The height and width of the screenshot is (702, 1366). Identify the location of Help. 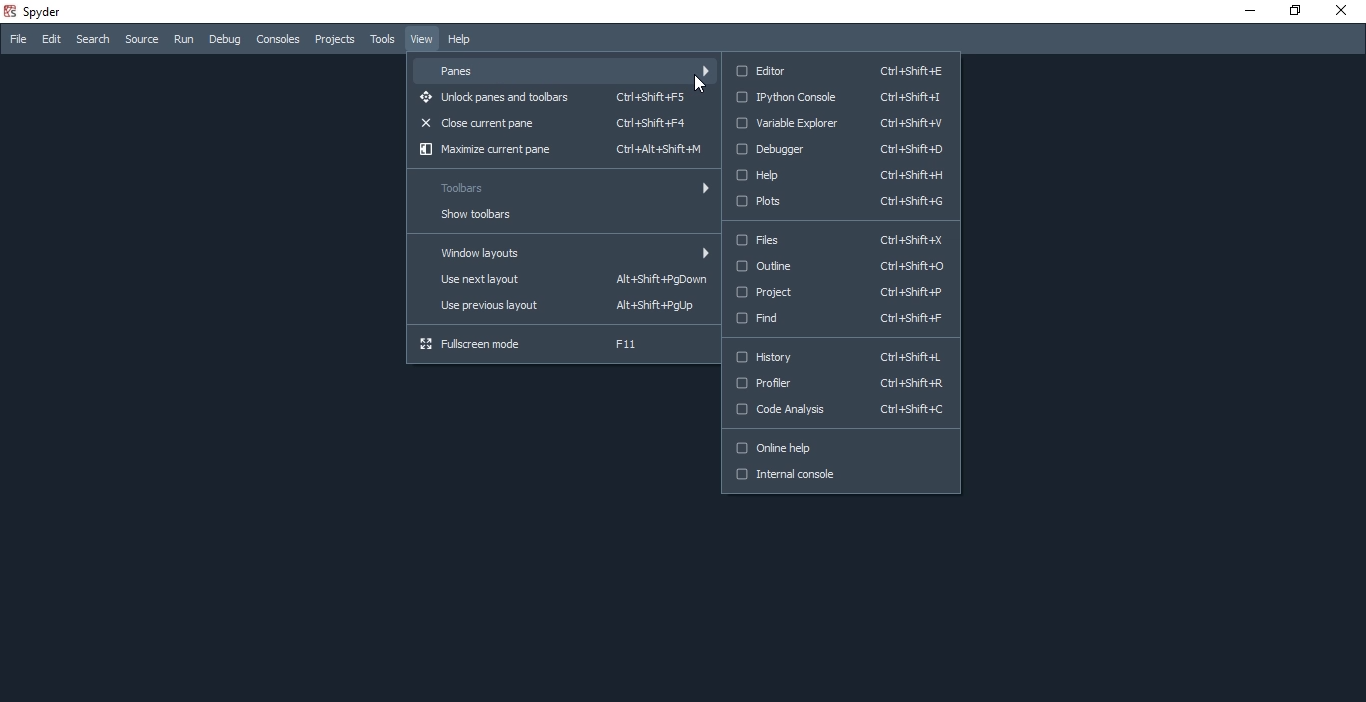
(839, 172).